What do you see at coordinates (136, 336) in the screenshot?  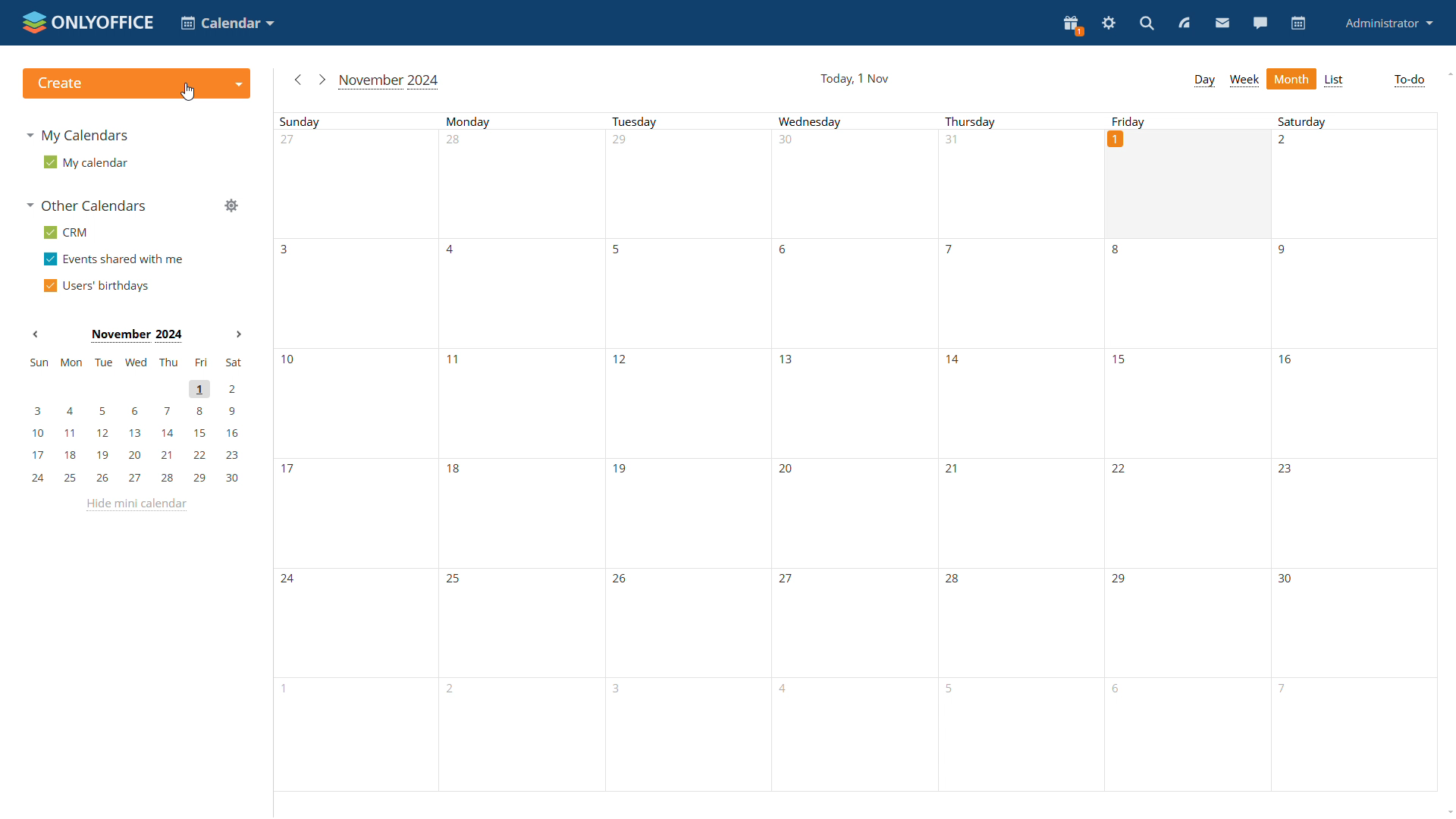 I see `Month on display` at bounding box center [136, 336].